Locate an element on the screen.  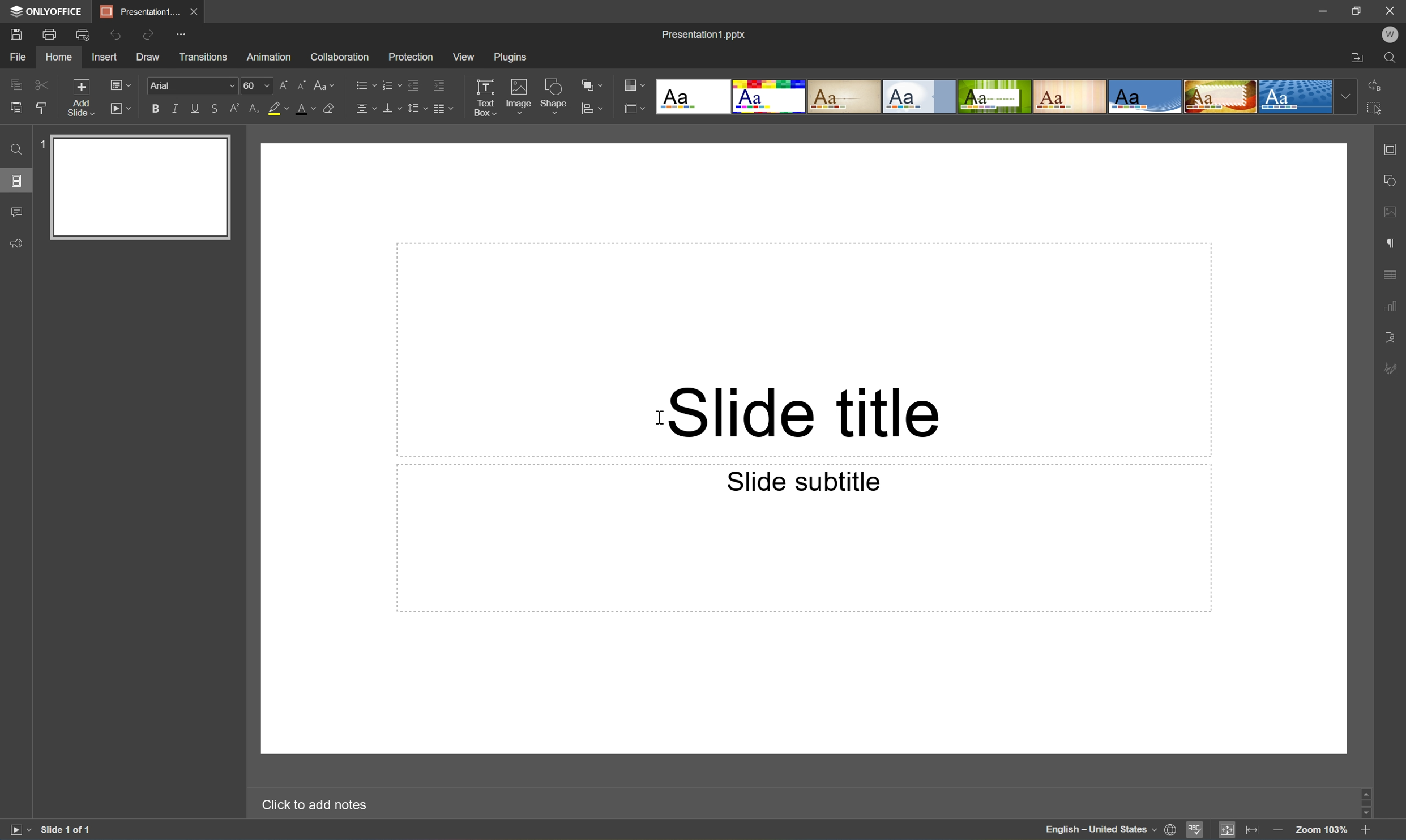
File is located at coordinates (15, 57).